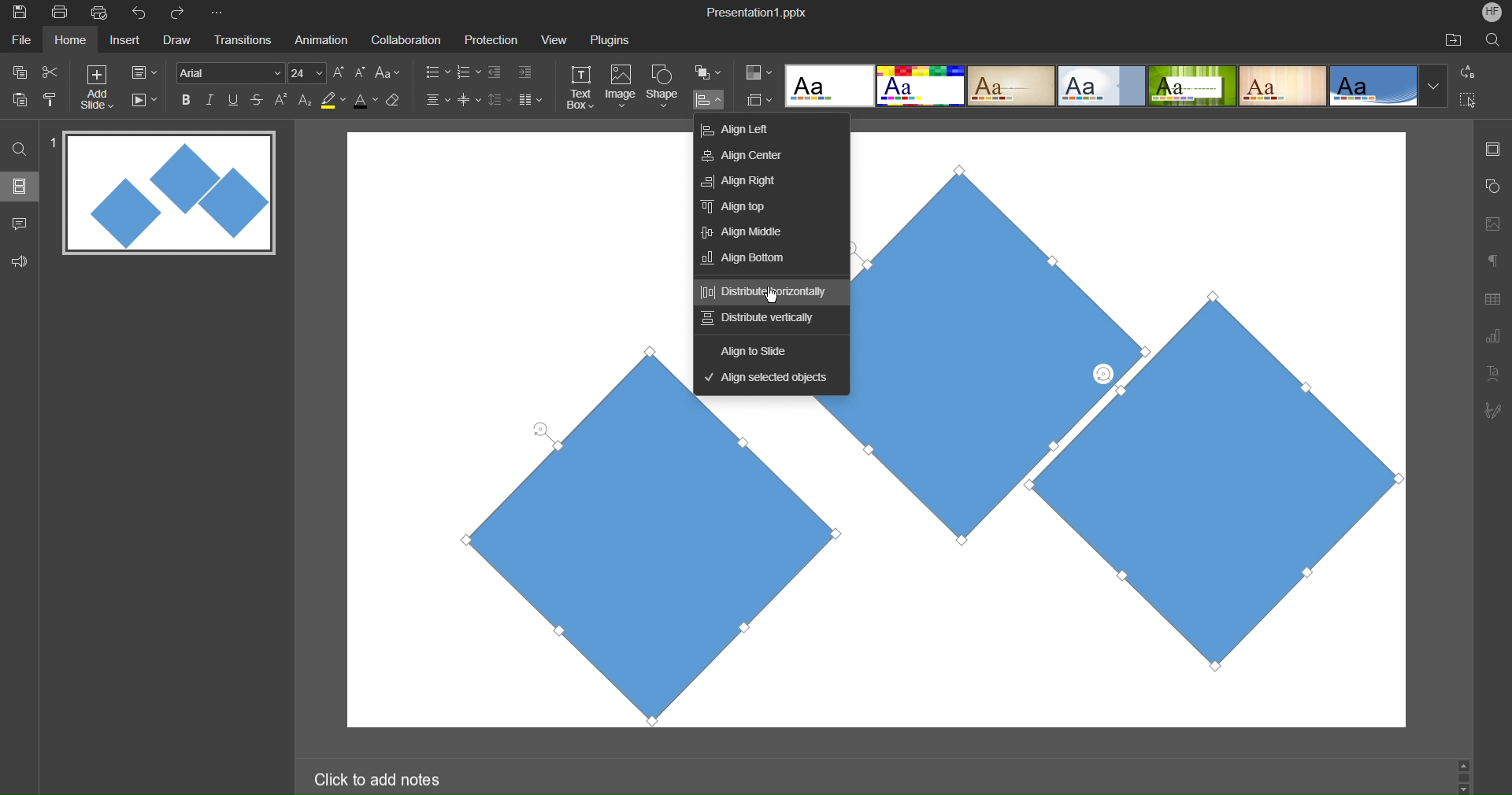 This screenshot has height=795, width=1512. Describe the element at coordinates (1490, 224) in the screenshot. I see `Image Settings` at that location.